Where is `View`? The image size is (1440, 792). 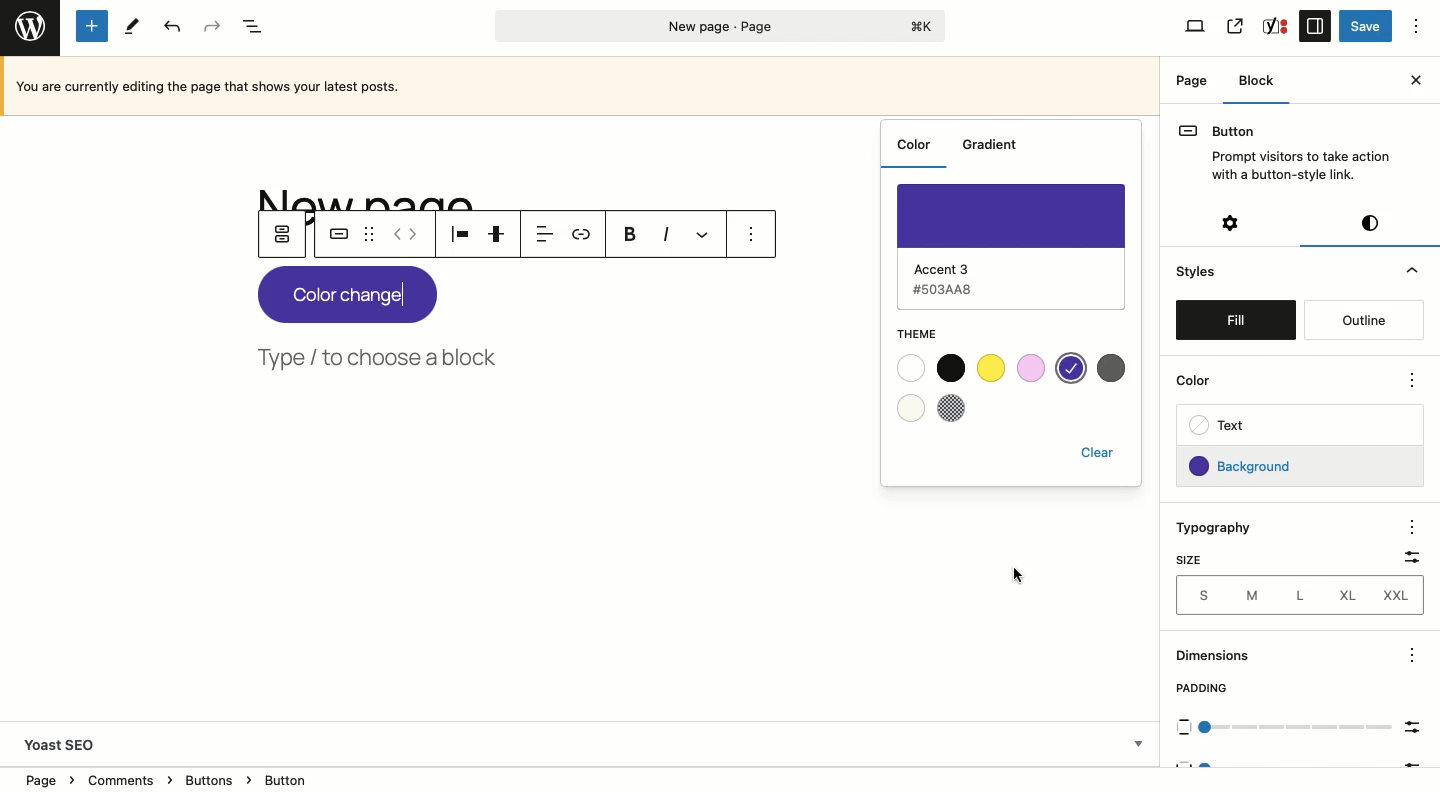 View is located at coordinates (1195, 26).